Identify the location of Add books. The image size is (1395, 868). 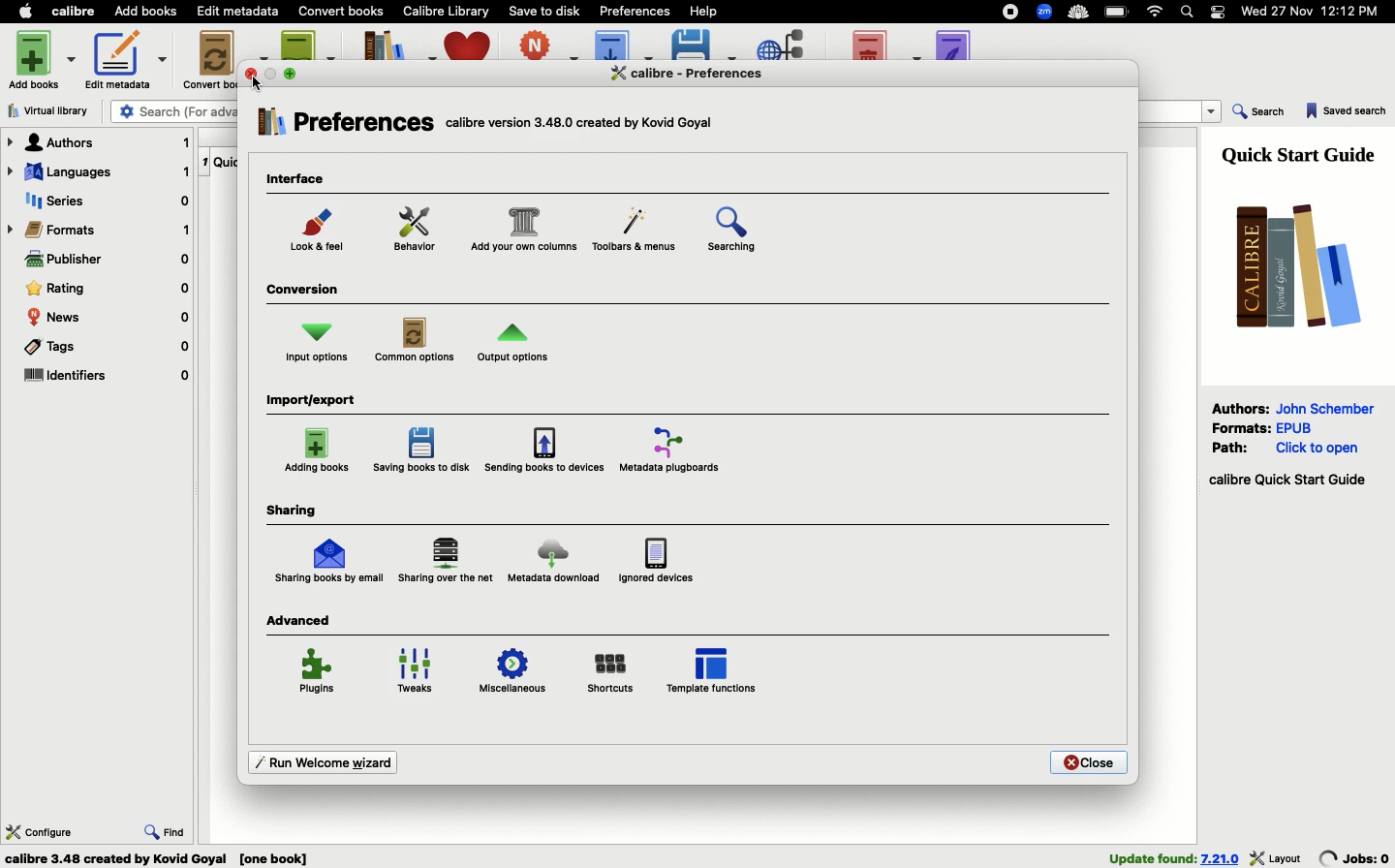
(45, 58).